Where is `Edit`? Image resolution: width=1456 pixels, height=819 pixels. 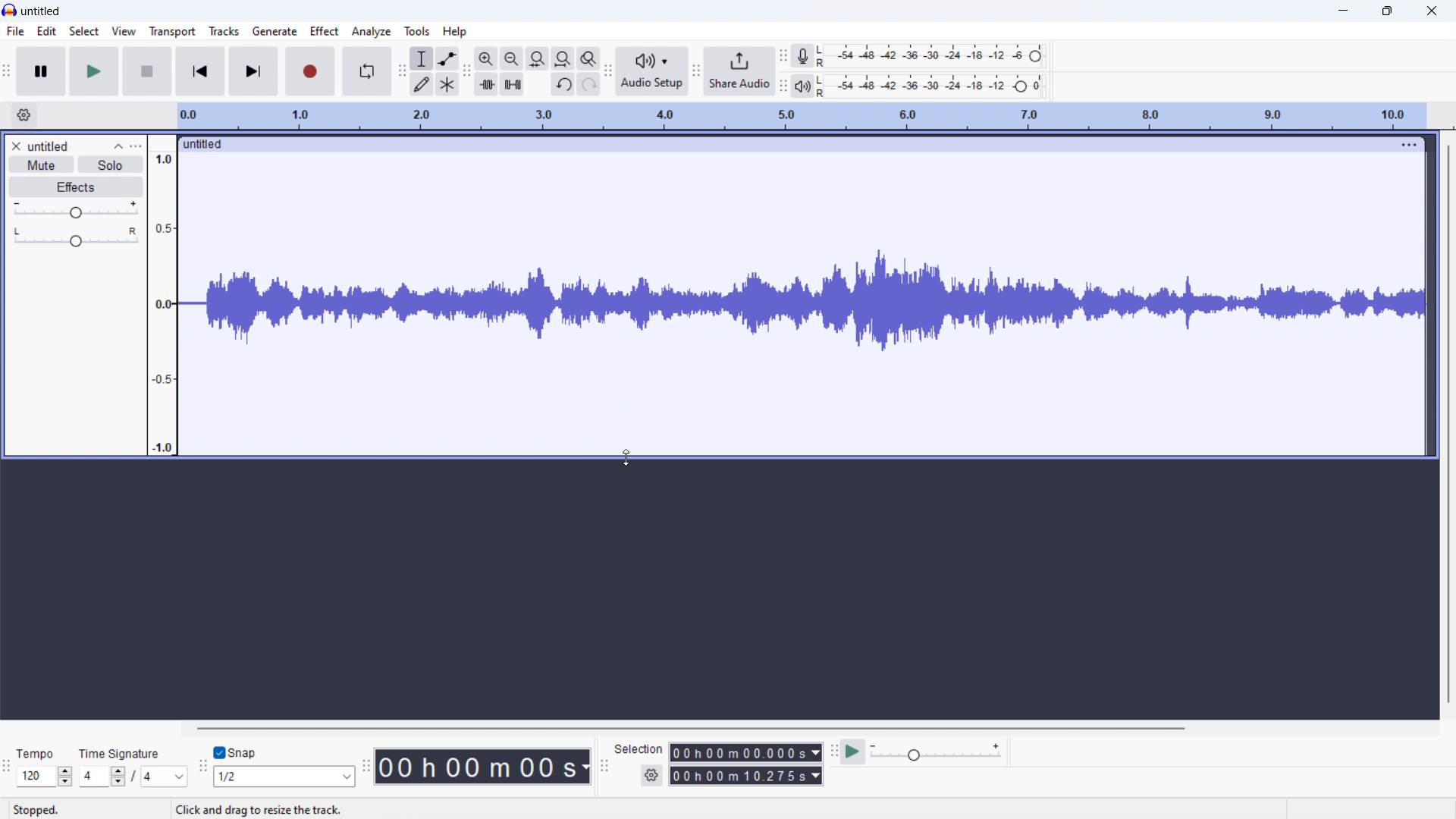 Edit is located at coordinates (46, 30).